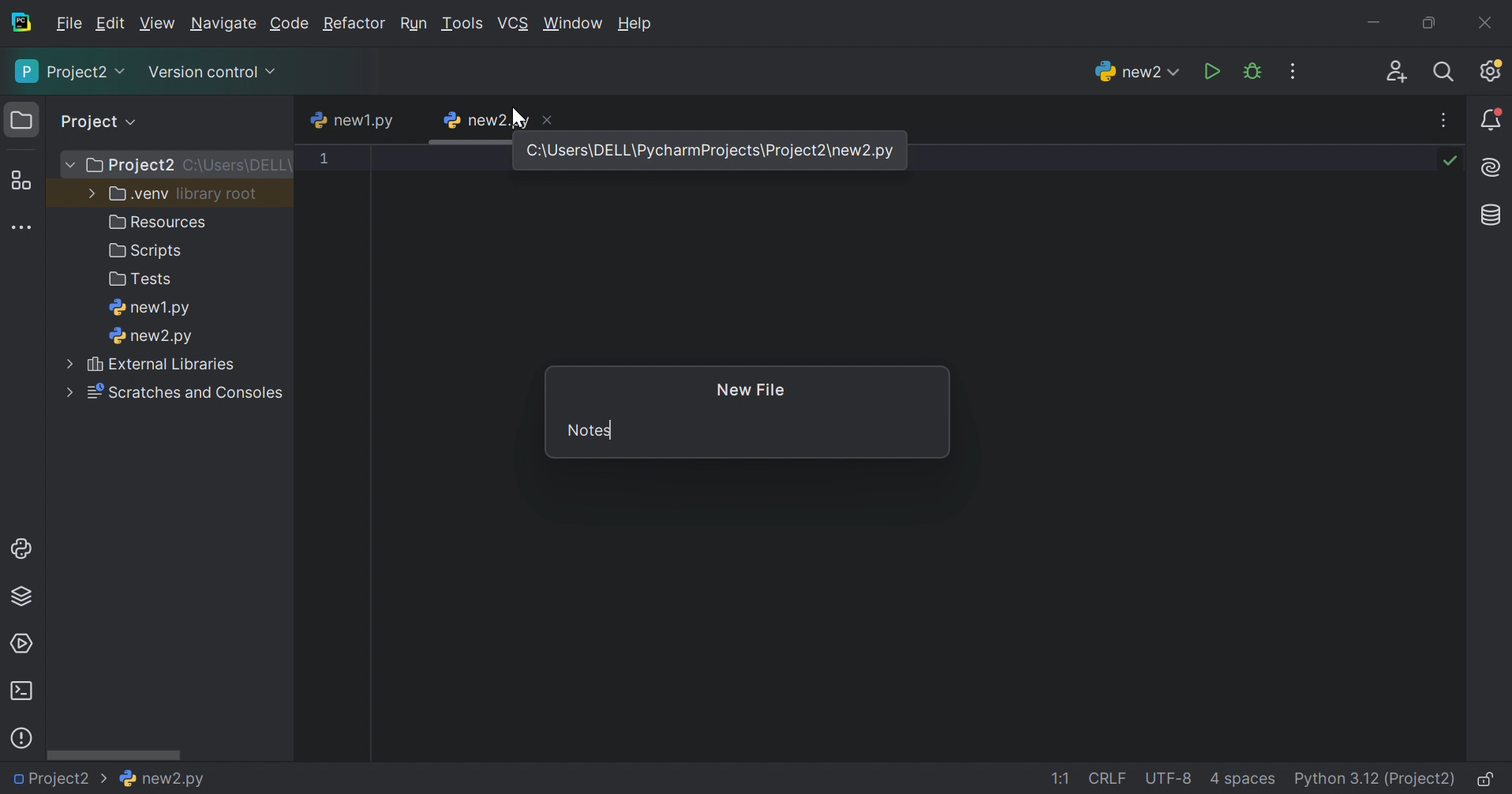 This screenshot has height=794, width=1512. What do you see at coordinates (323, 159) in the screenshot?
I see `1` at bounding box center [323, 159].